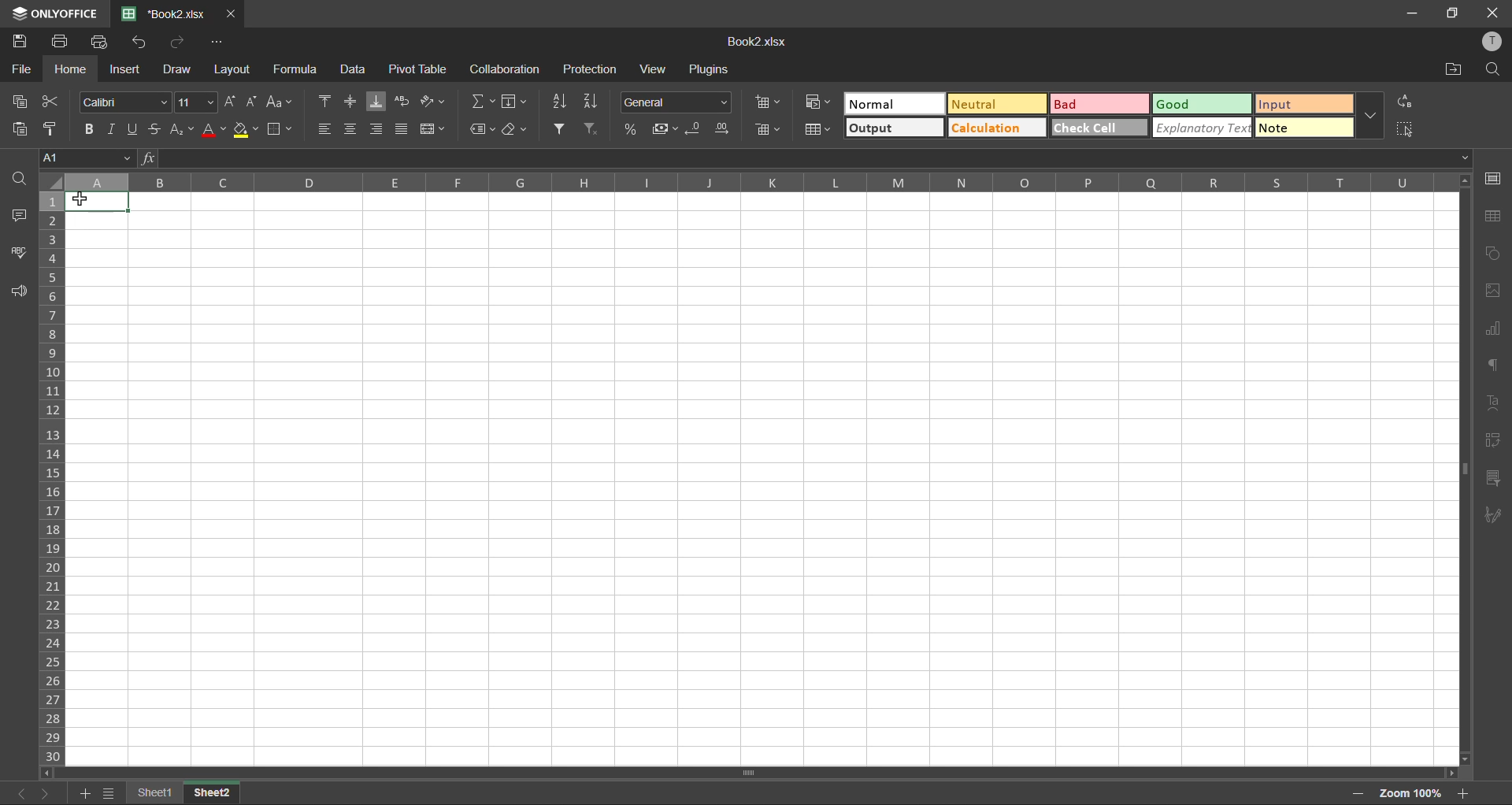 The width and height of the screenshot is (1512, 805). What do you see at coordinates (595, 99) in the screenshot?
I see `sort descending` at bounding box center [595, 99].